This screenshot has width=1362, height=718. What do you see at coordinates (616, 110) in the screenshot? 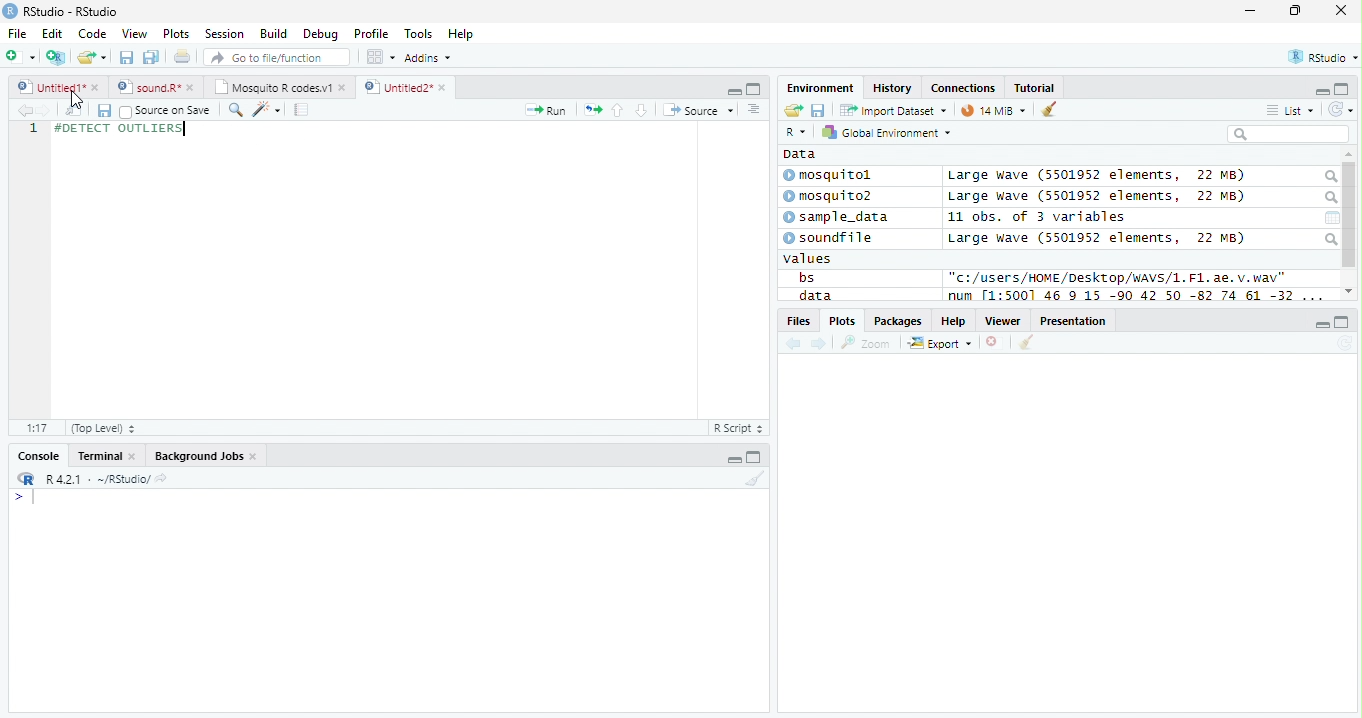
I see `Go to previous section` at bounding box center [616, 110].